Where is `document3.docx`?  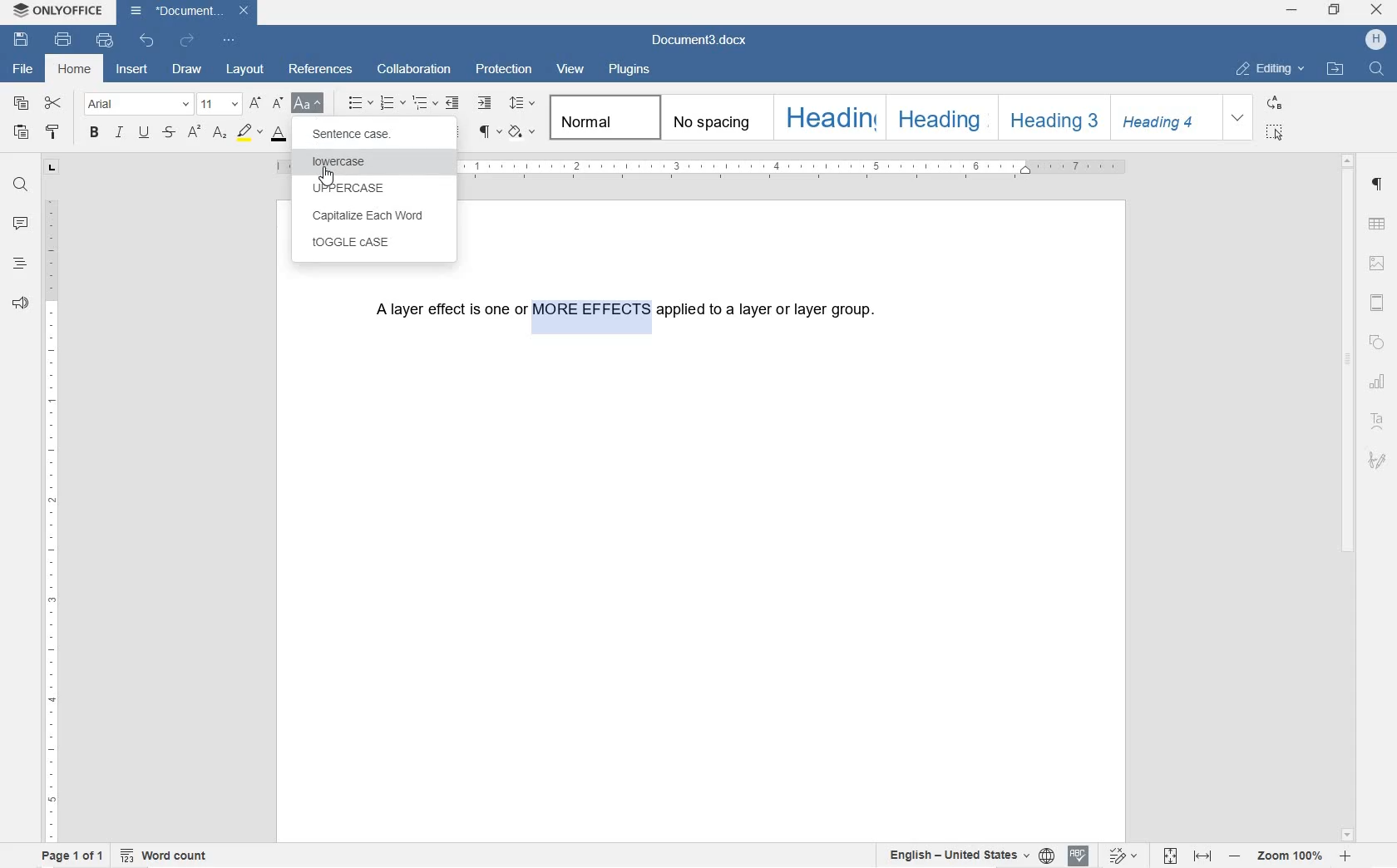 document3.docx is located at coordinates (703, 41).